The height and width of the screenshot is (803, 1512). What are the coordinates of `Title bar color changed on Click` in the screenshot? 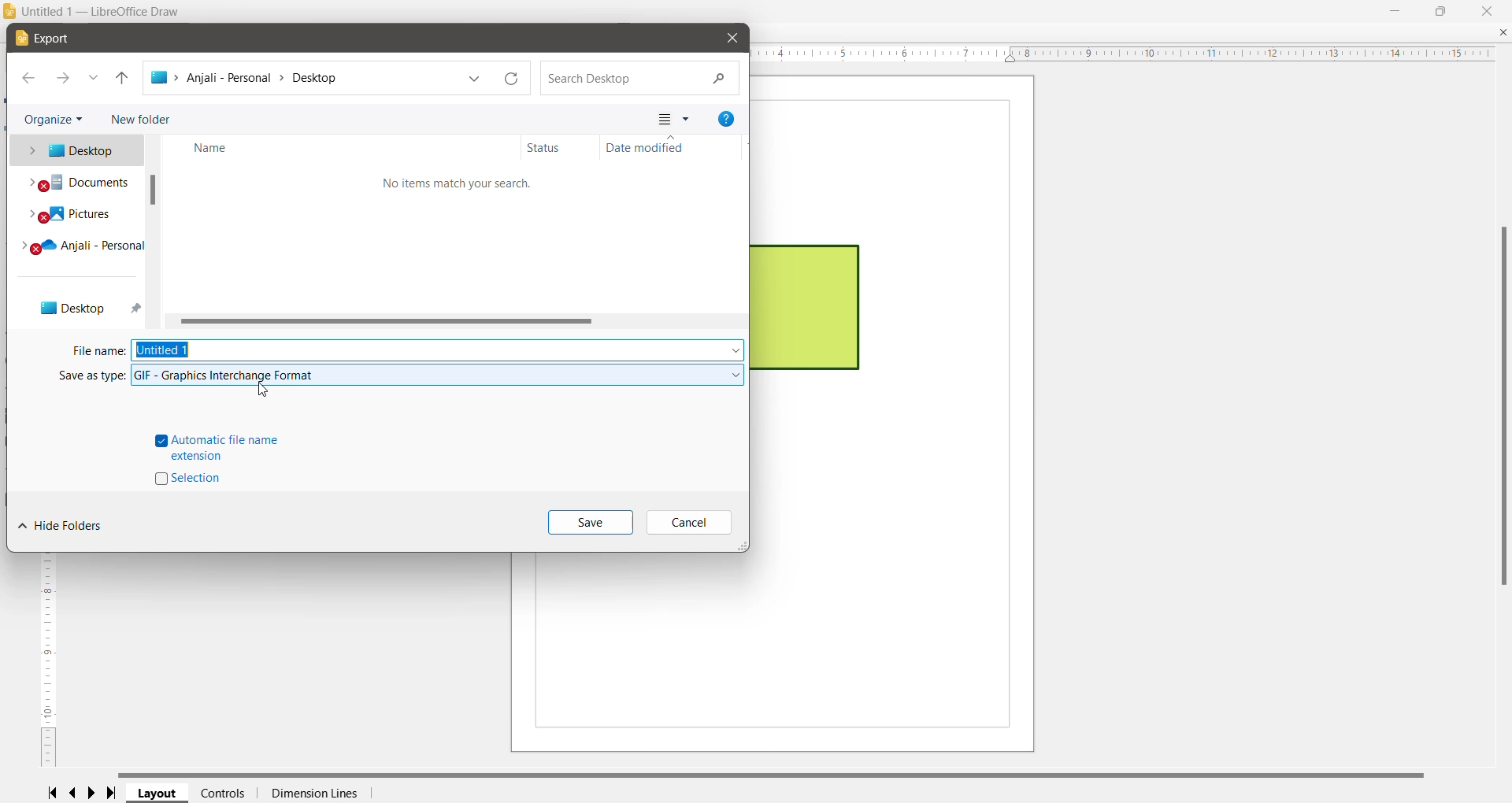 It's located at (779, 12).